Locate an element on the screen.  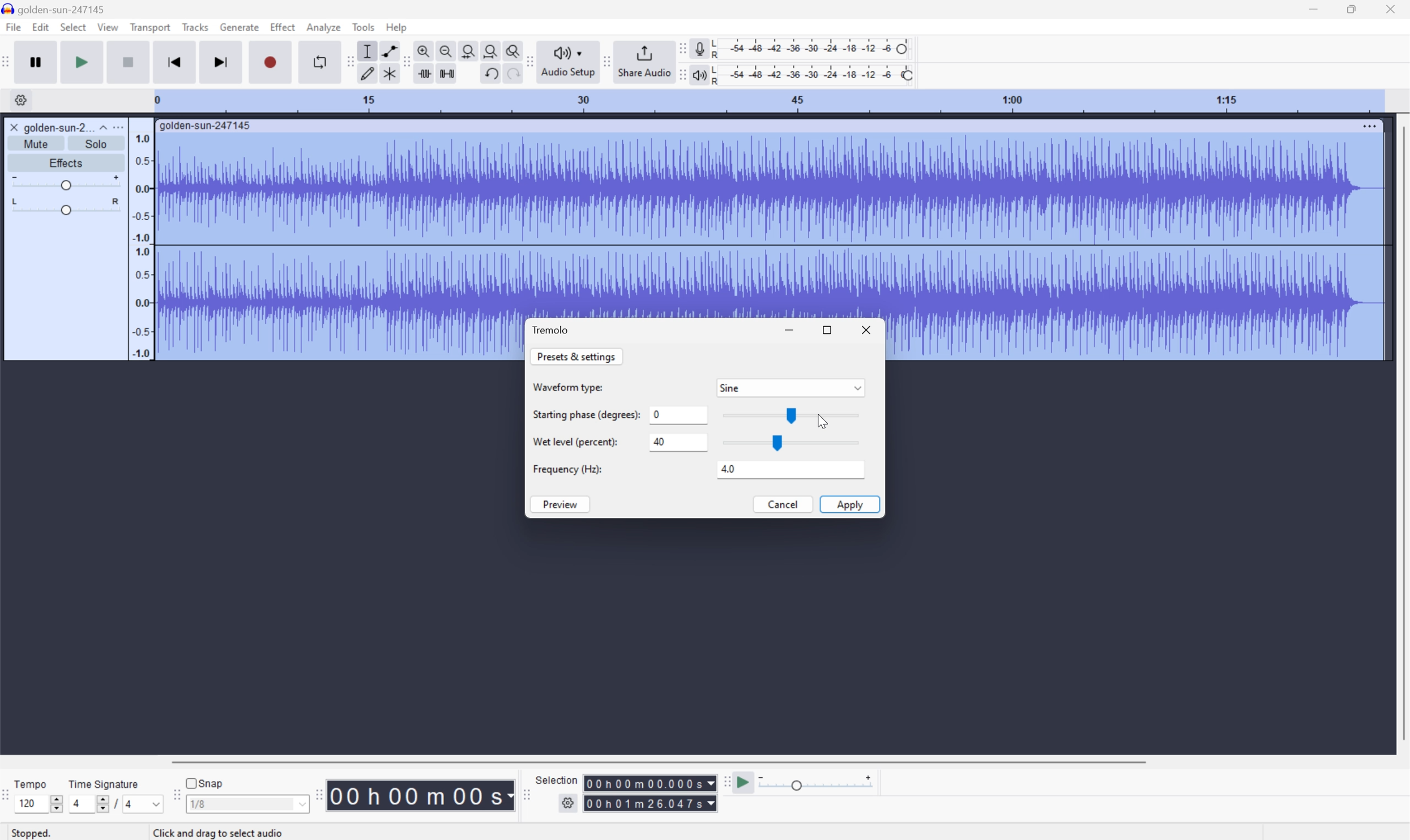
Tools is located at coordinates (363, 25).